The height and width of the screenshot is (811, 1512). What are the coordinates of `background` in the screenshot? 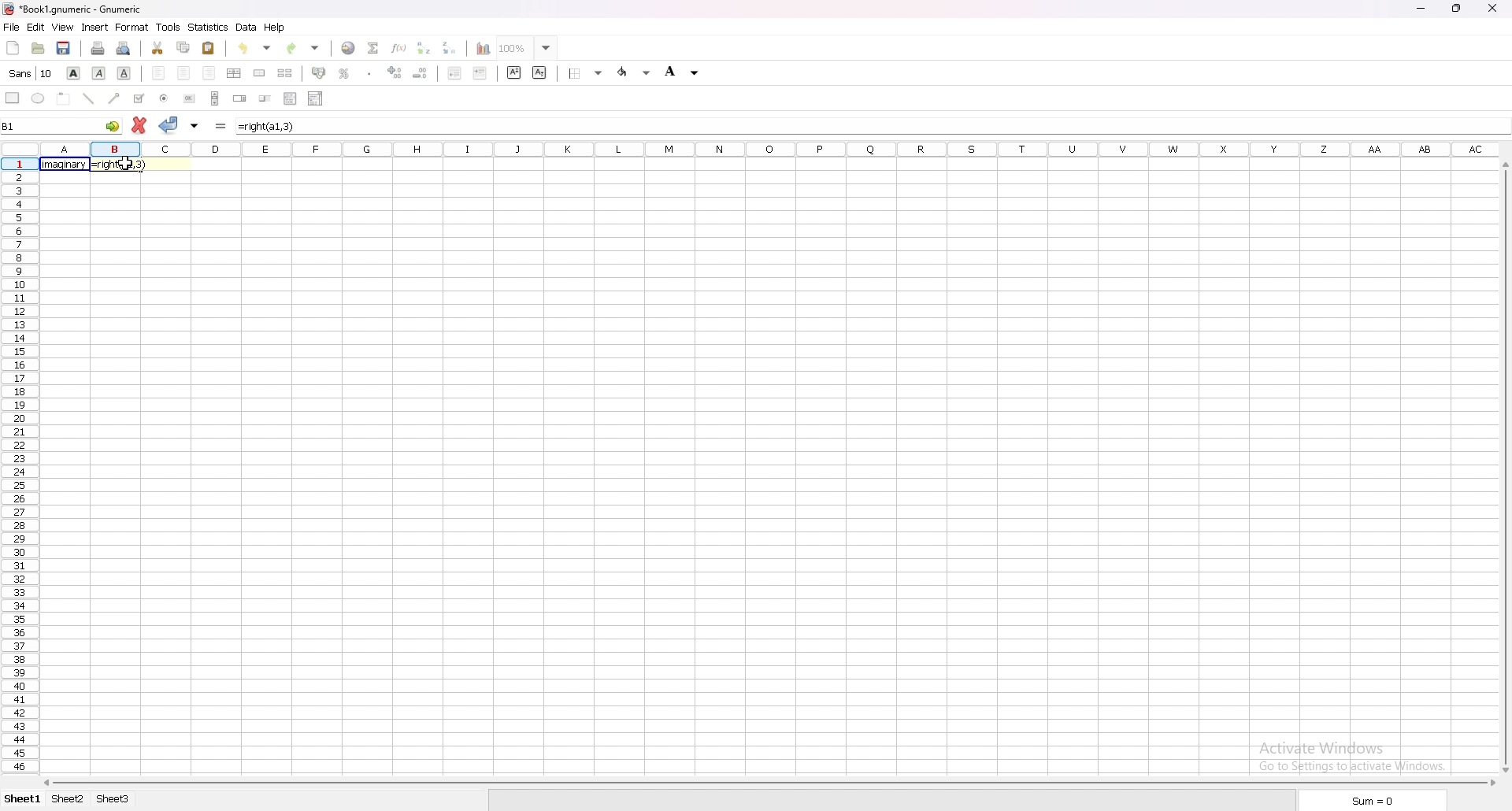 It's located at (684, 72).